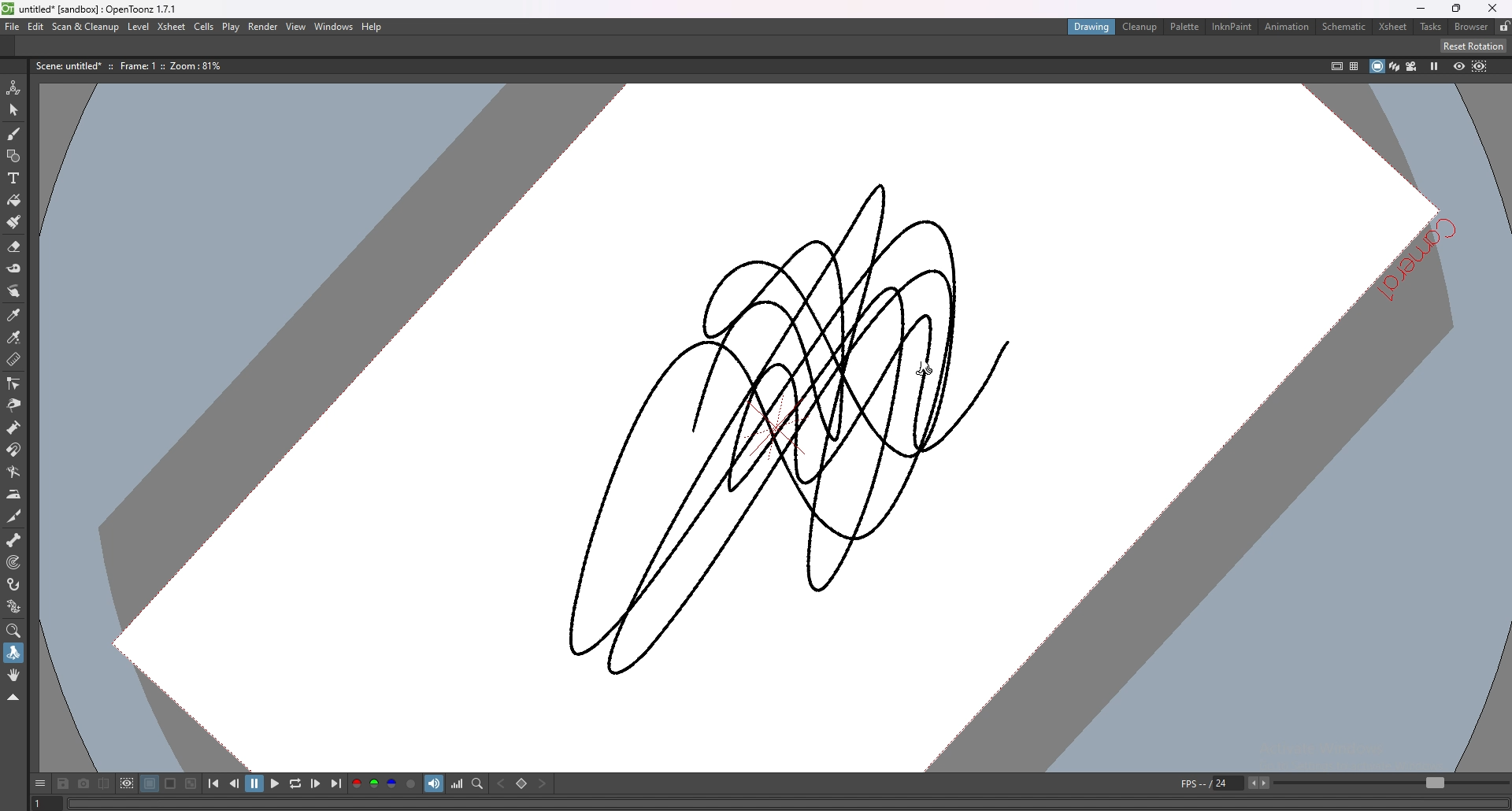  Describe the element at coordinates (14, 338) in the screenshot. I see `rgb picker` at that location.